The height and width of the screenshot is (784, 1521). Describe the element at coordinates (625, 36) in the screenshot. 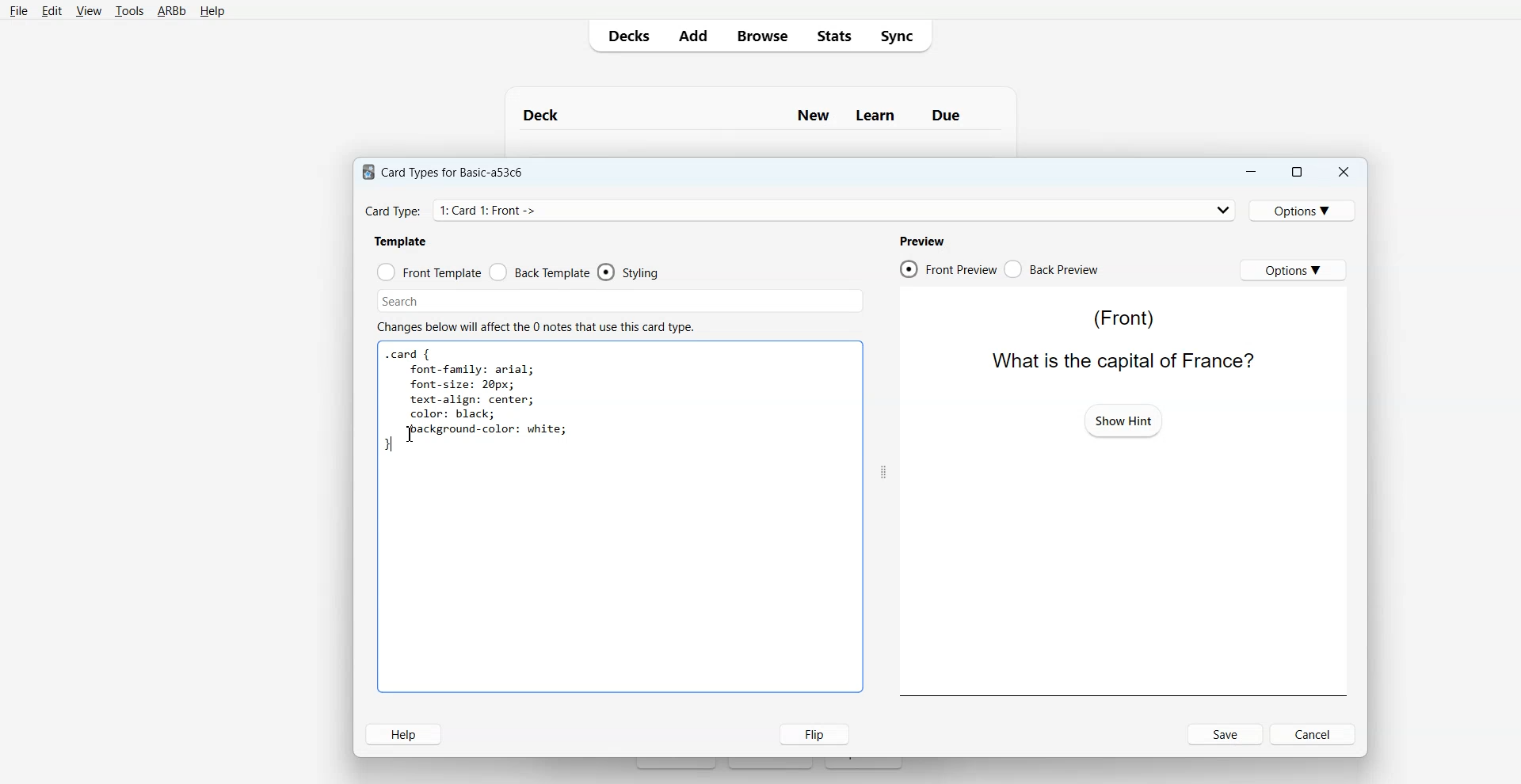

I see `Decks` at that location.